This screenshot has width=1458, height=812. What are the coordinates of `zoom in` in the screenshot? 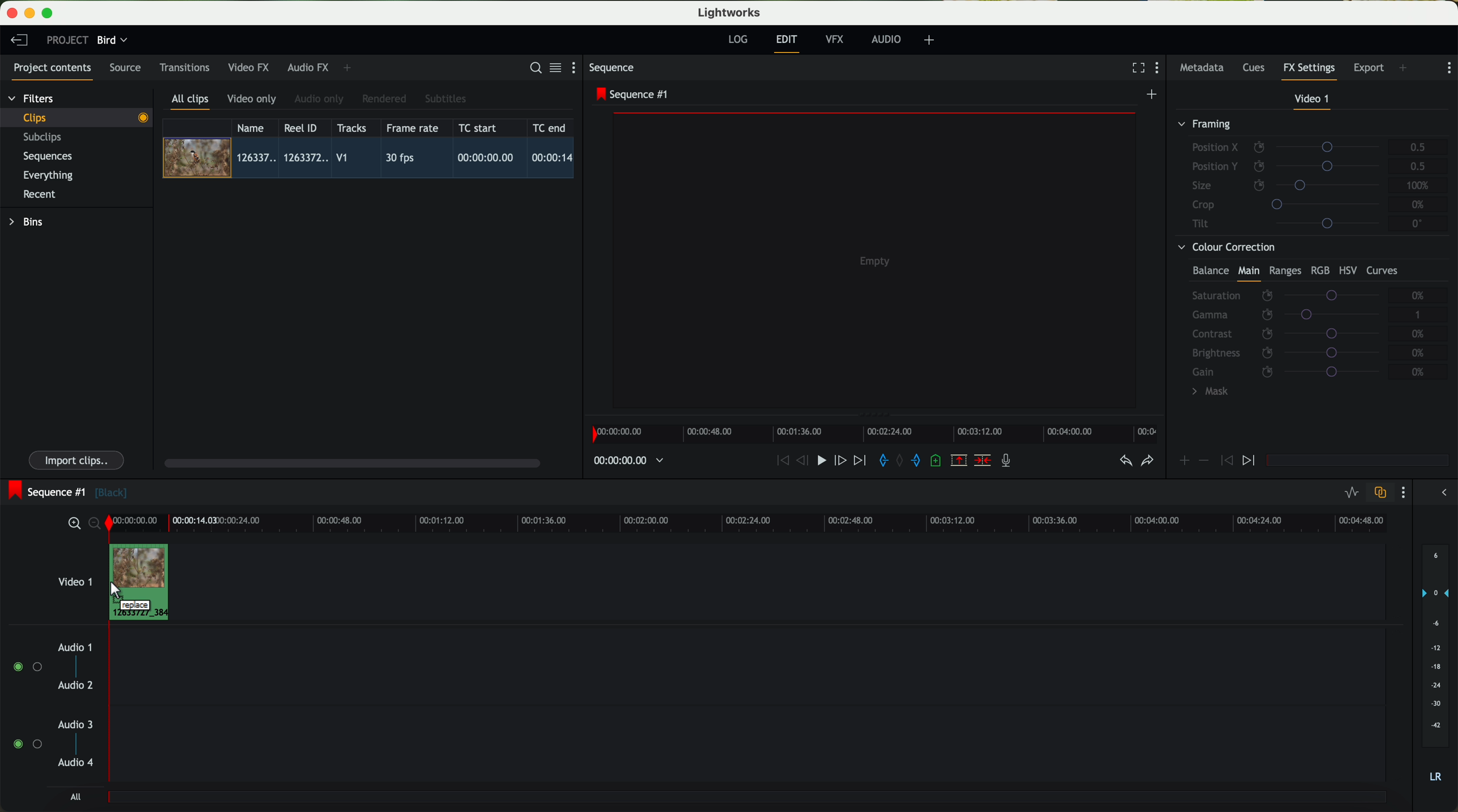 It's located at (72, 524).